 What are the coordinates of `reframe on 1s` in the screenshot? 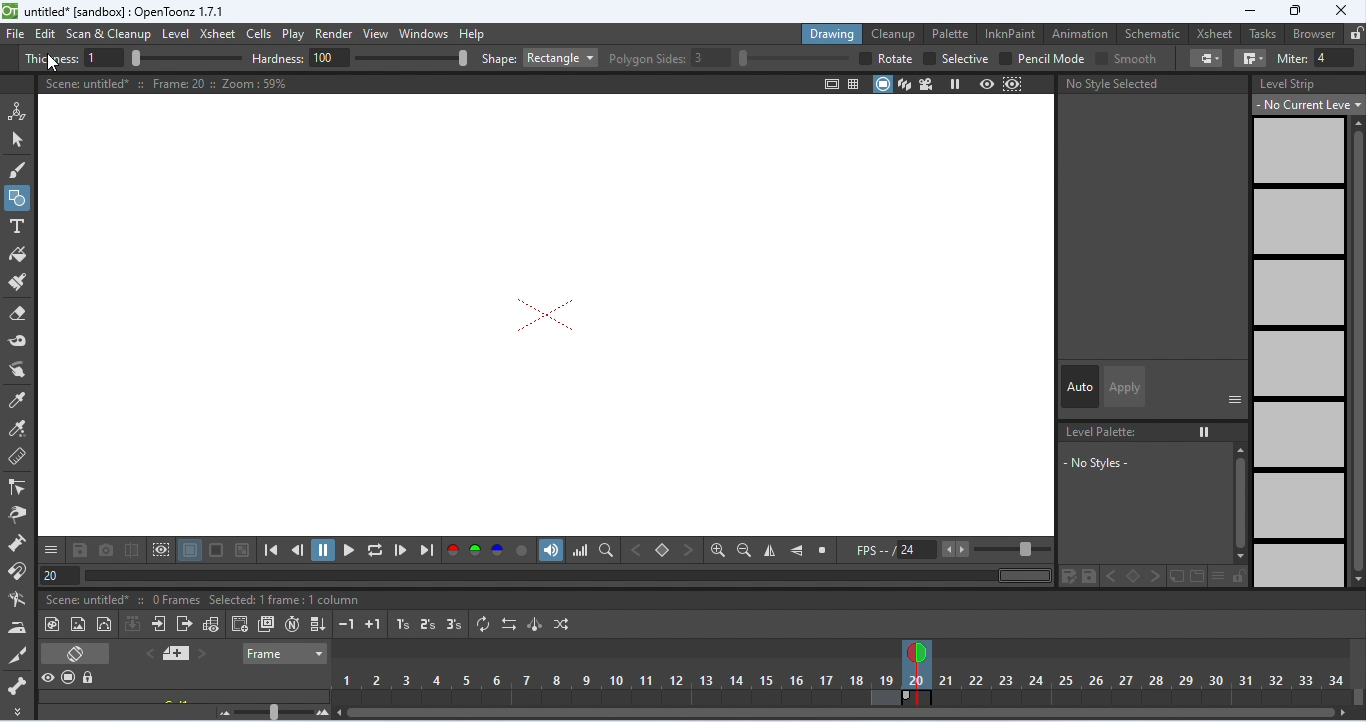 It's located at (403, 625).